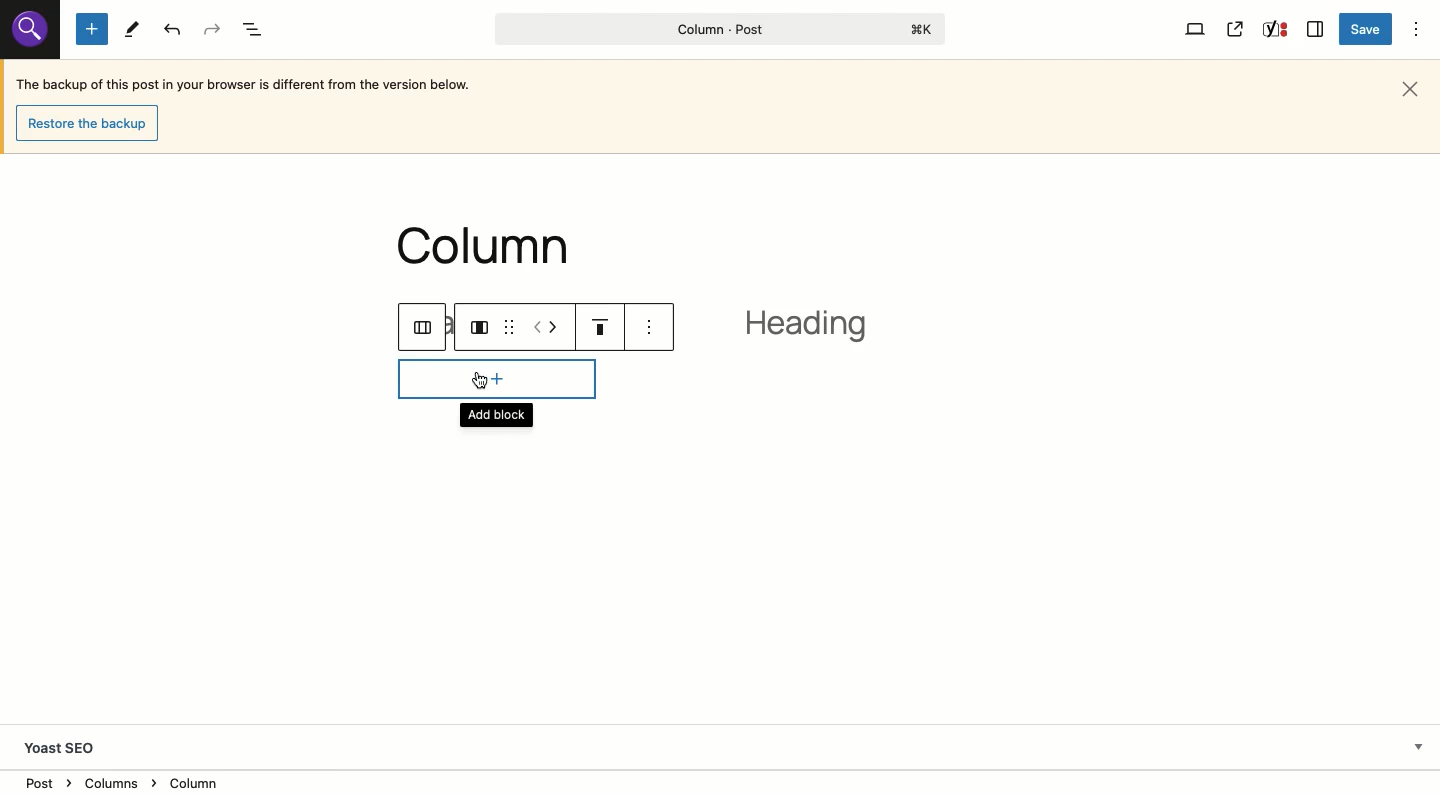 The width and height of the screenshot is (1440, 794). I want to click on cursor, so click(480, 377).